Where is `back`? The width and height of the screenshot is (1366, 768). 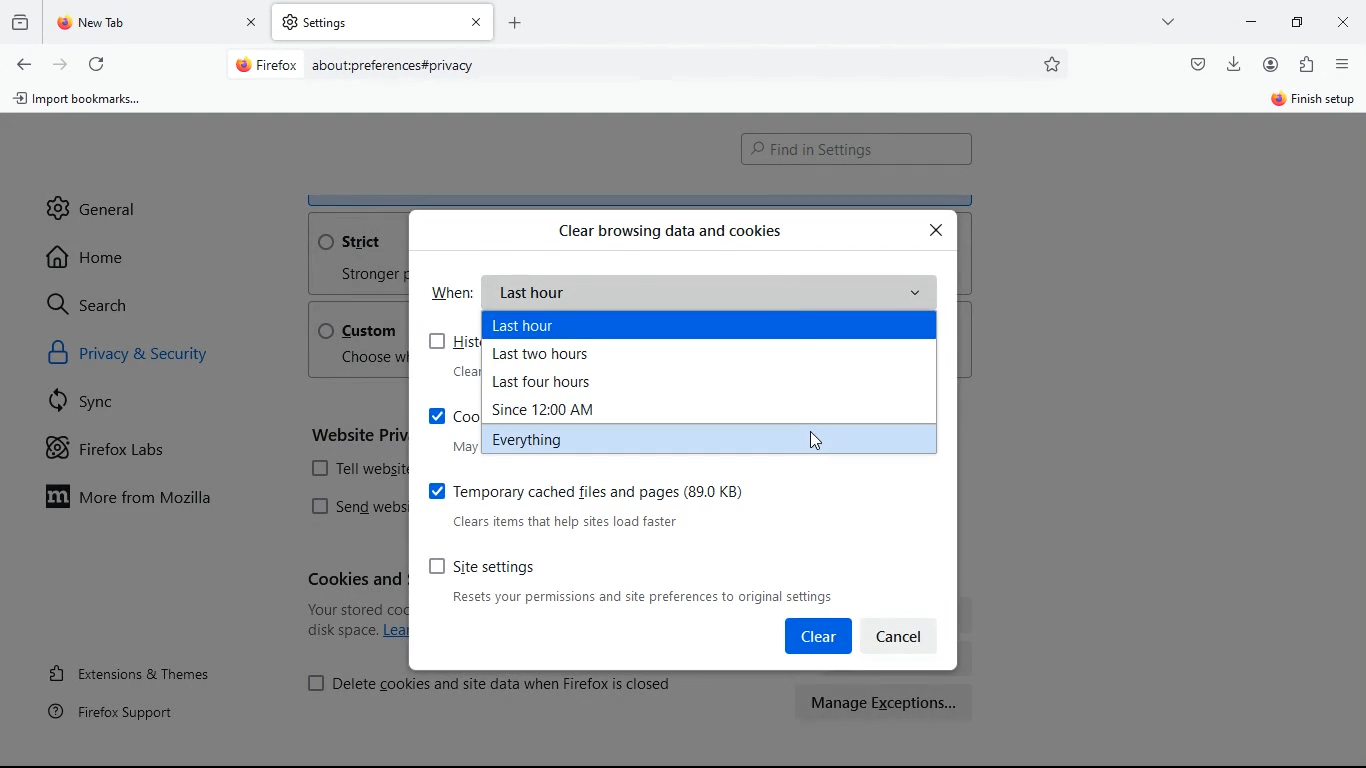
back is located at coordinates (22, 65).